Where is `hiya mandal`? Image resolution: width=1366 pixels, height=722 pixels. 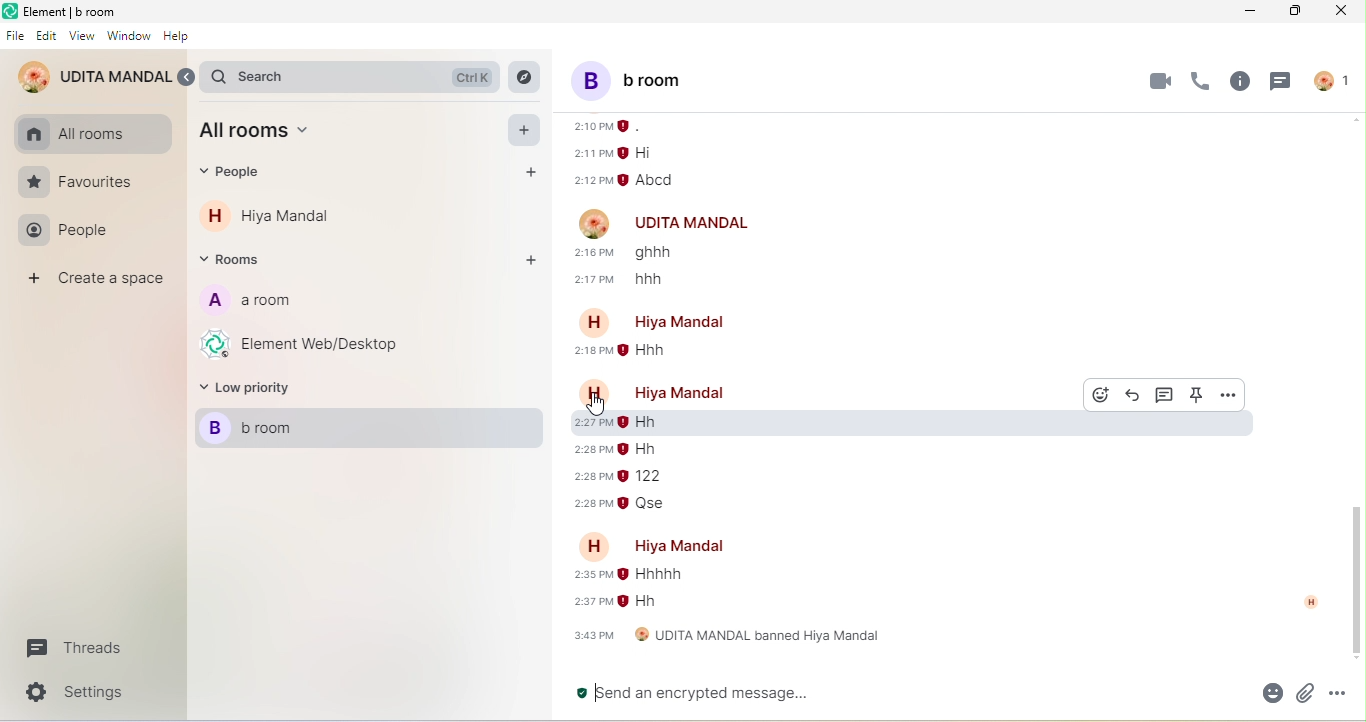 hiya mandal is located at coordinates (289, 216).